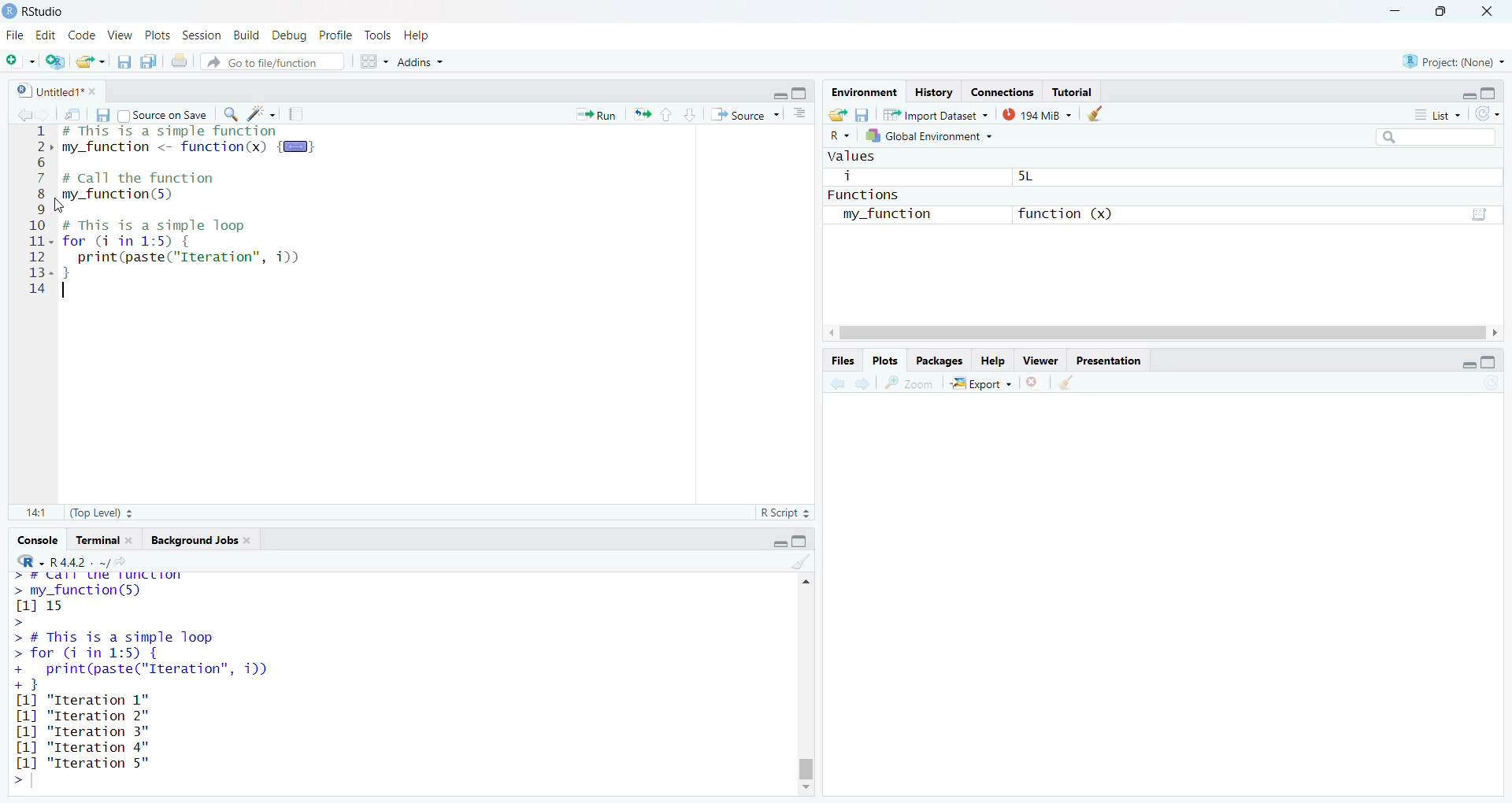 The height and width of the screenshot is (803, 1512). What do you see at coordinates (1071, 383) in the screenshot?
I see `clear all plots` at bounding box center [1071, 383].